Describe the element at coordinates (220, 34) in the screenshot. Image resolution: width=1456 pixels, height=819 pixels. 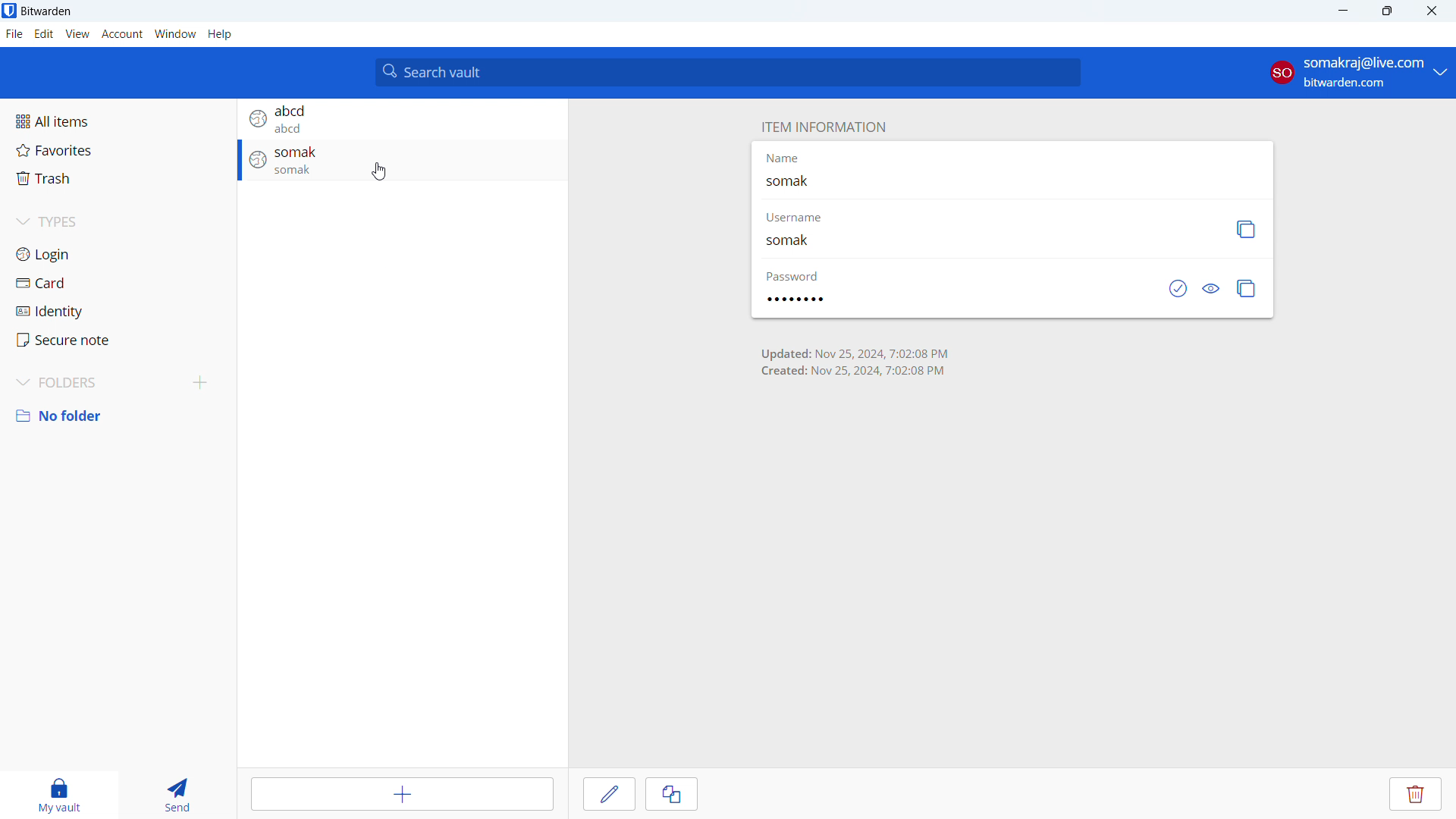
I see `h` at that location.